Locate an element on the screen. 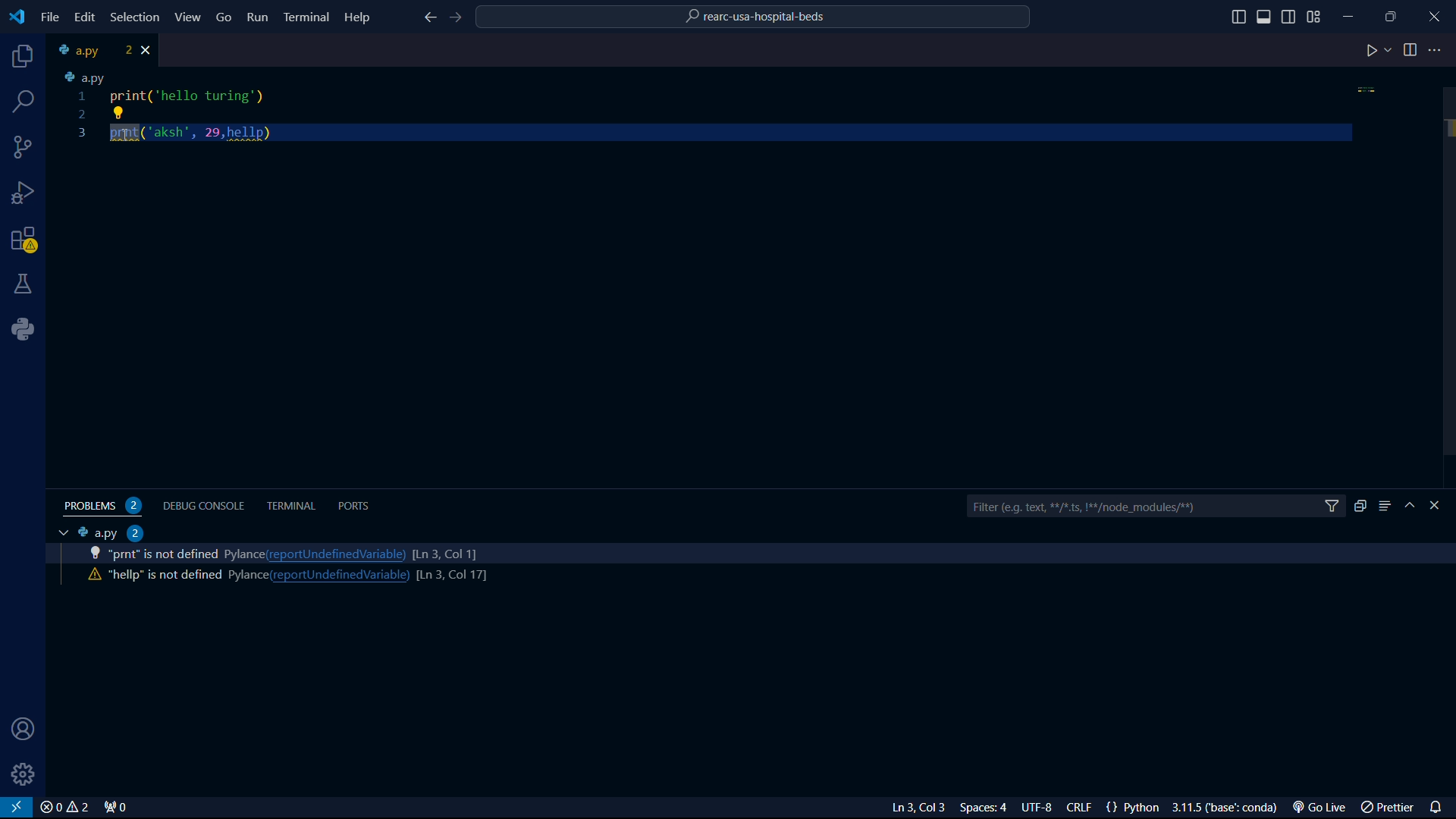 The height and width of the screenshot is (819, 1456). connections is located at coordinates (24, 147).